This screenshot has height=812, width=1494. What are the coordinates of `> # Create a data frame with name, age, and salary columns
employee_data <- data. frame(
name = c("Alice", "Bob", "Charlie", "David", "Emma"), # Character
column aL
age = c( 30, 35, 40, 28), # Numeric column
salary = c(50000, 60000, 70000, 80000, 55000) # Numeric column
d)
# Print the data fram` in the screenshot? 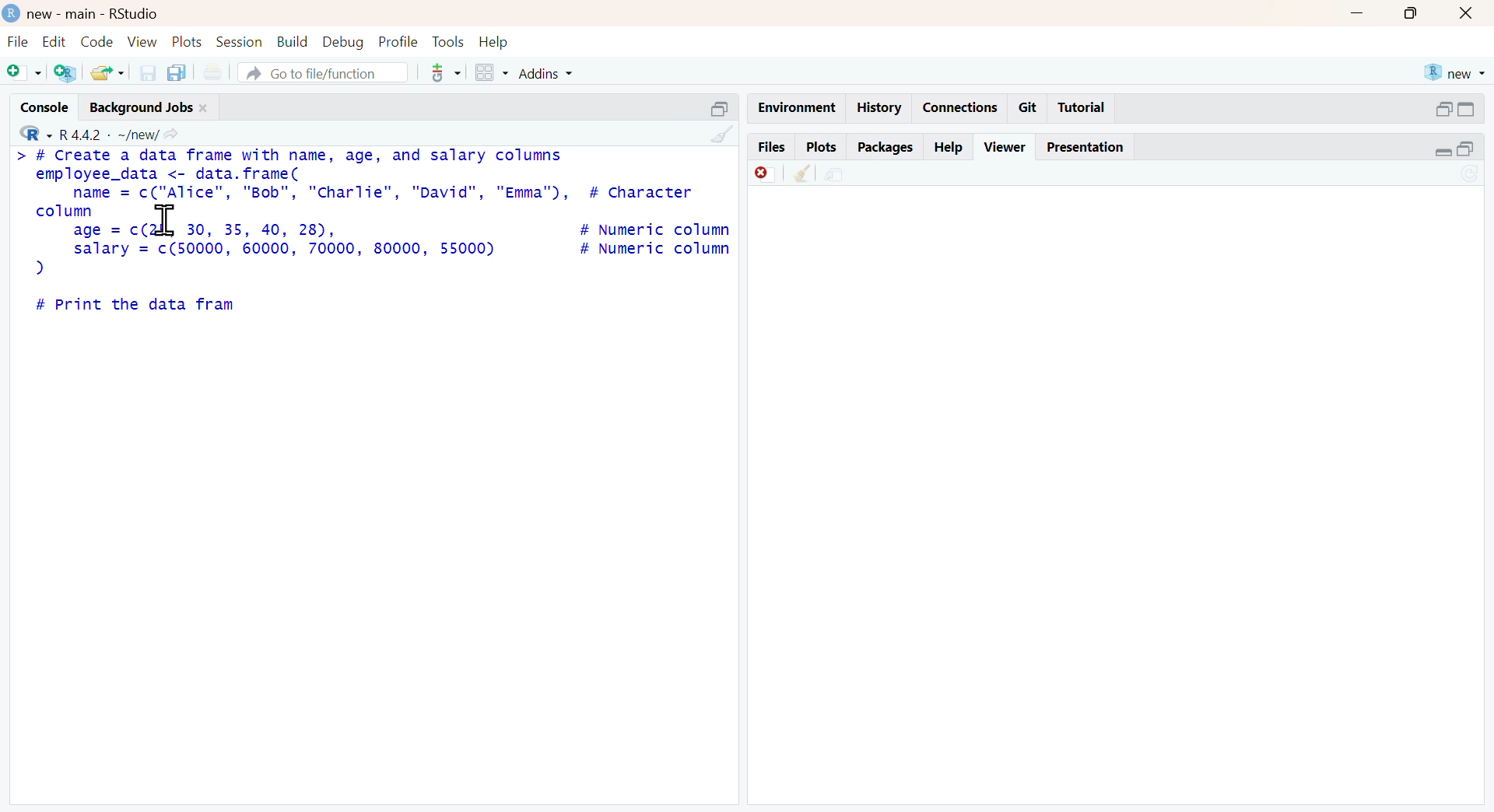 It's located at (373, 230).